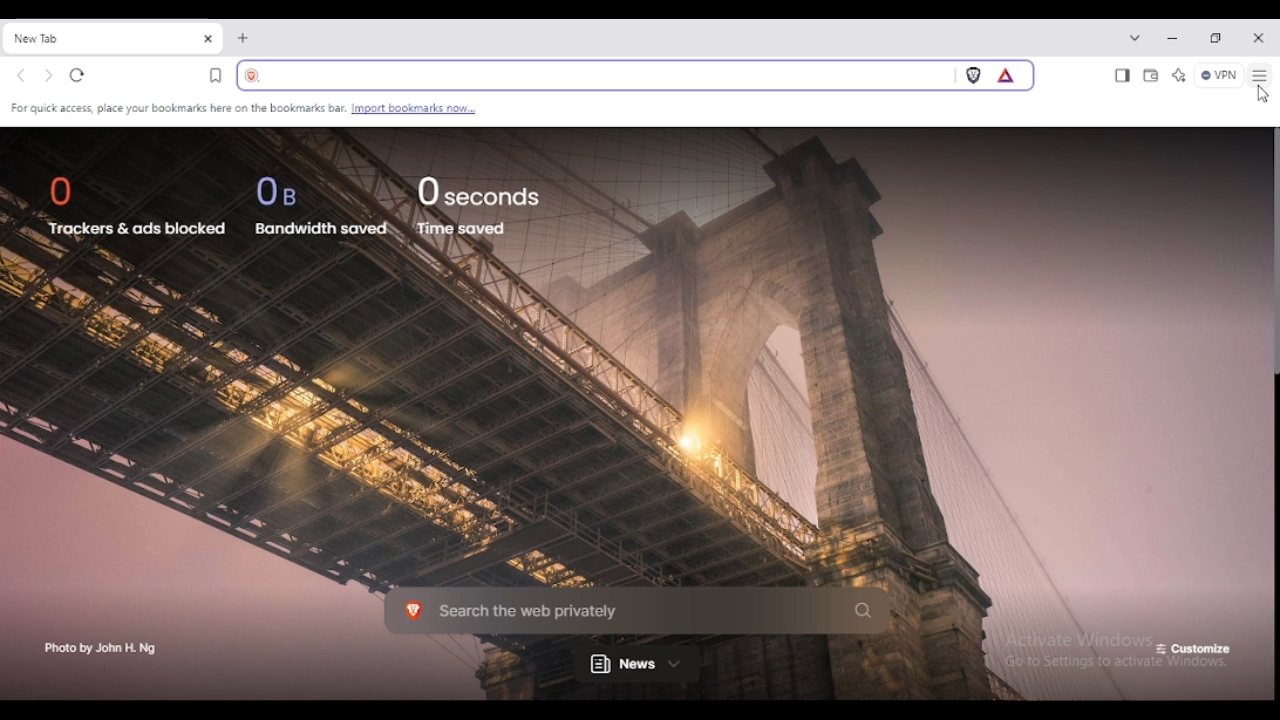 The image size is (1280, 720). Describe the element at coordinates (1195, 649) in the screenshot. I see `customize` at that location.